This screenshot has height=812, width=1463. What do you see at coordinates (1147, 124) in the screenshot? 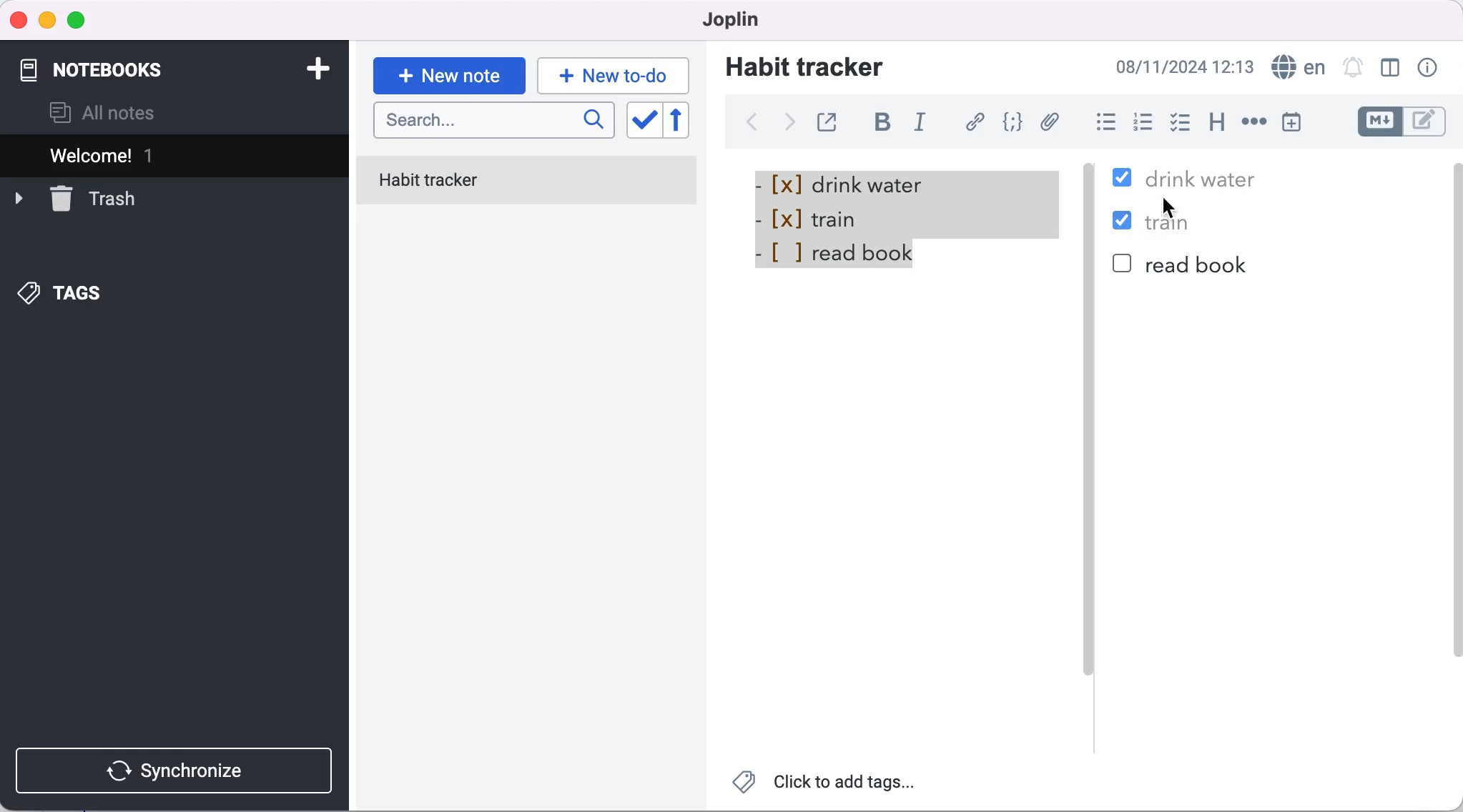
I see `numbered list` at bounding box center [1147, 124].